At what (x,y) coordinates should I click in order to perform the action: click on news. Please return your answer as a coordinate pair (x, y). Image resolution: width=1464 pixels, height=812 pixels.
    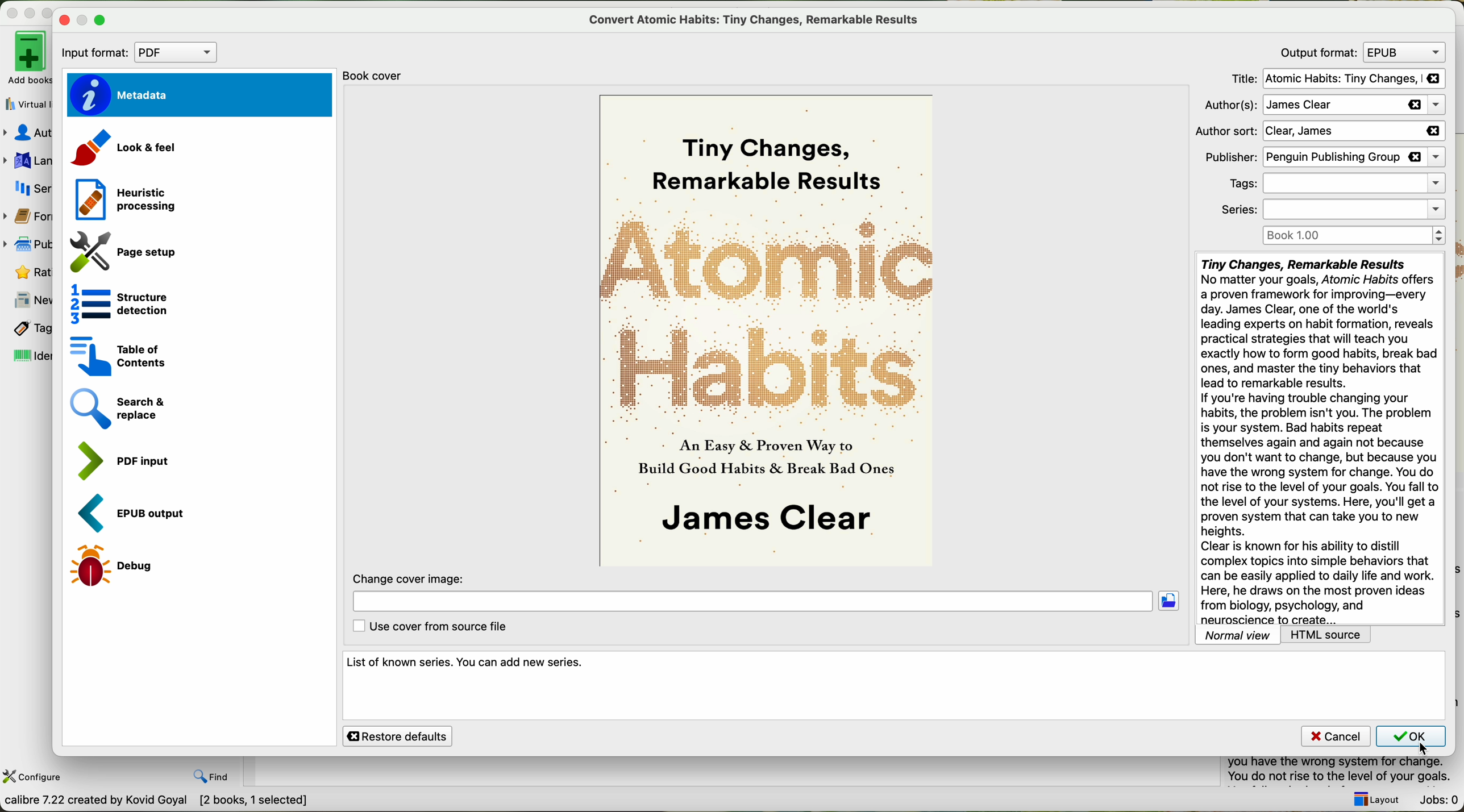
    Looking at the image, I should click on (28, 299).